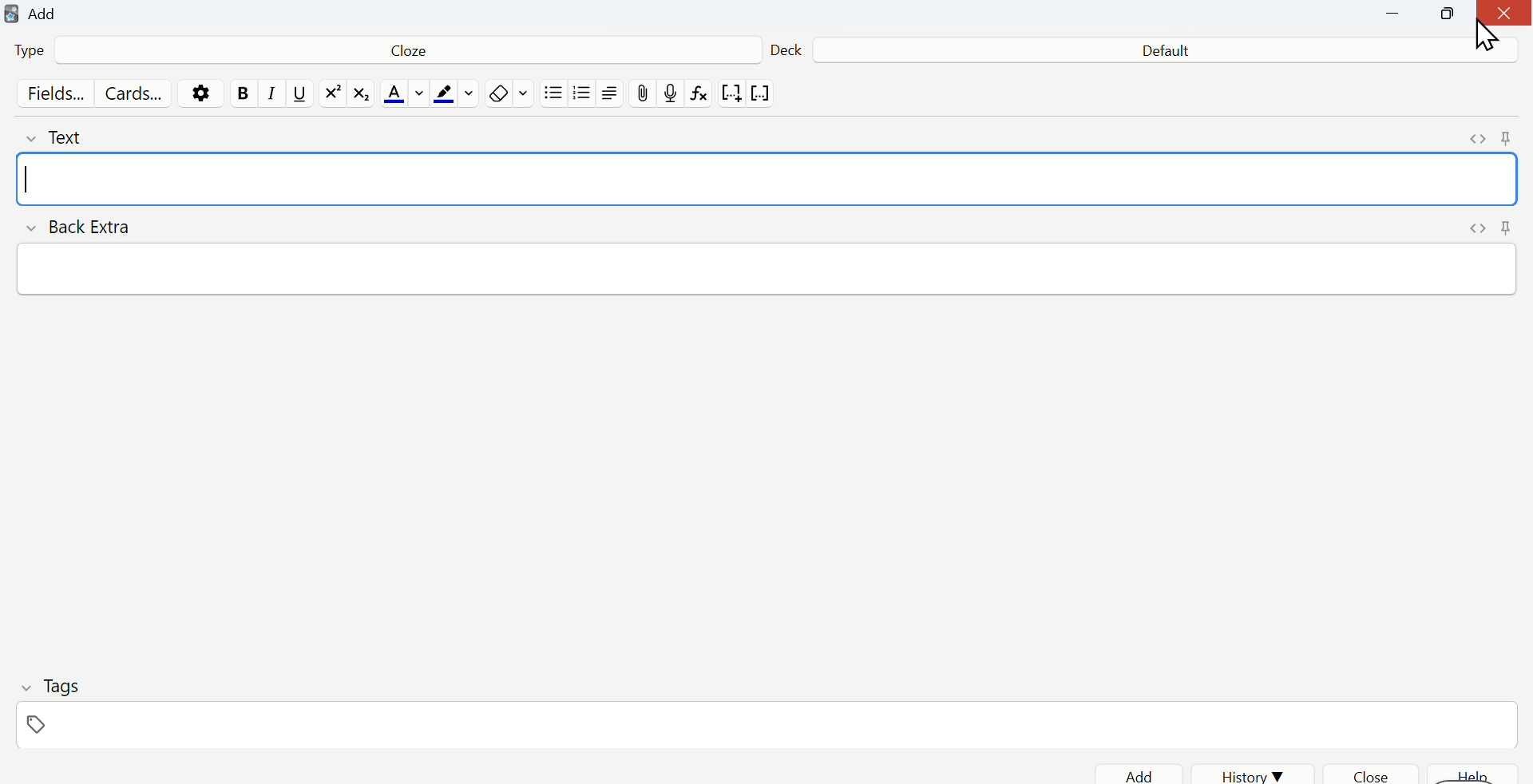 The width and height of the screenshot is (1533, 784). What do you see at coordinates (701, 97) in the screenshot?
I see `formula` at bounding box center [701, 97].